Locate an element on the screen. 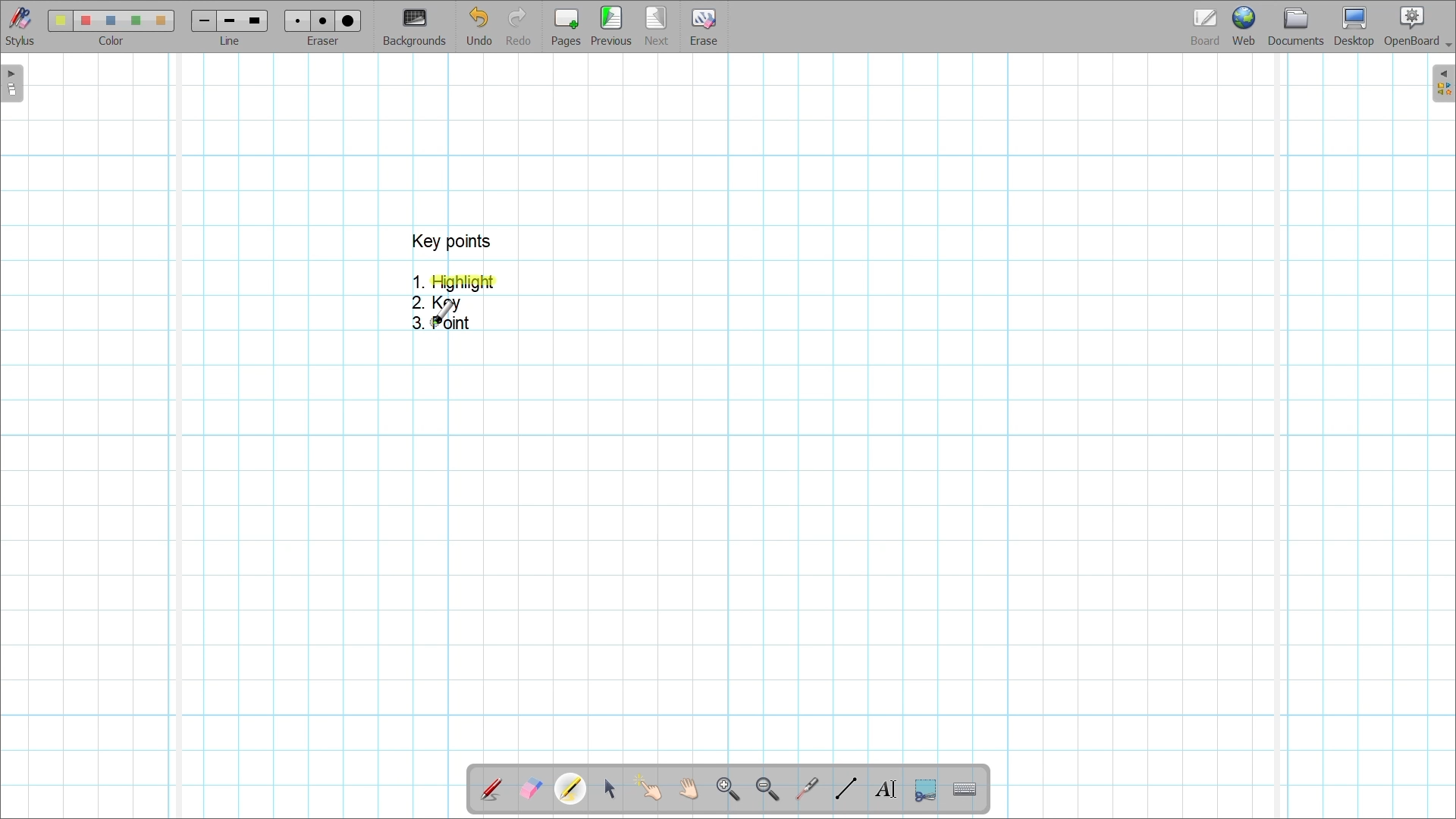 This screenshot has height=819, width=1456. Undo is located at coordinates (480, 26).